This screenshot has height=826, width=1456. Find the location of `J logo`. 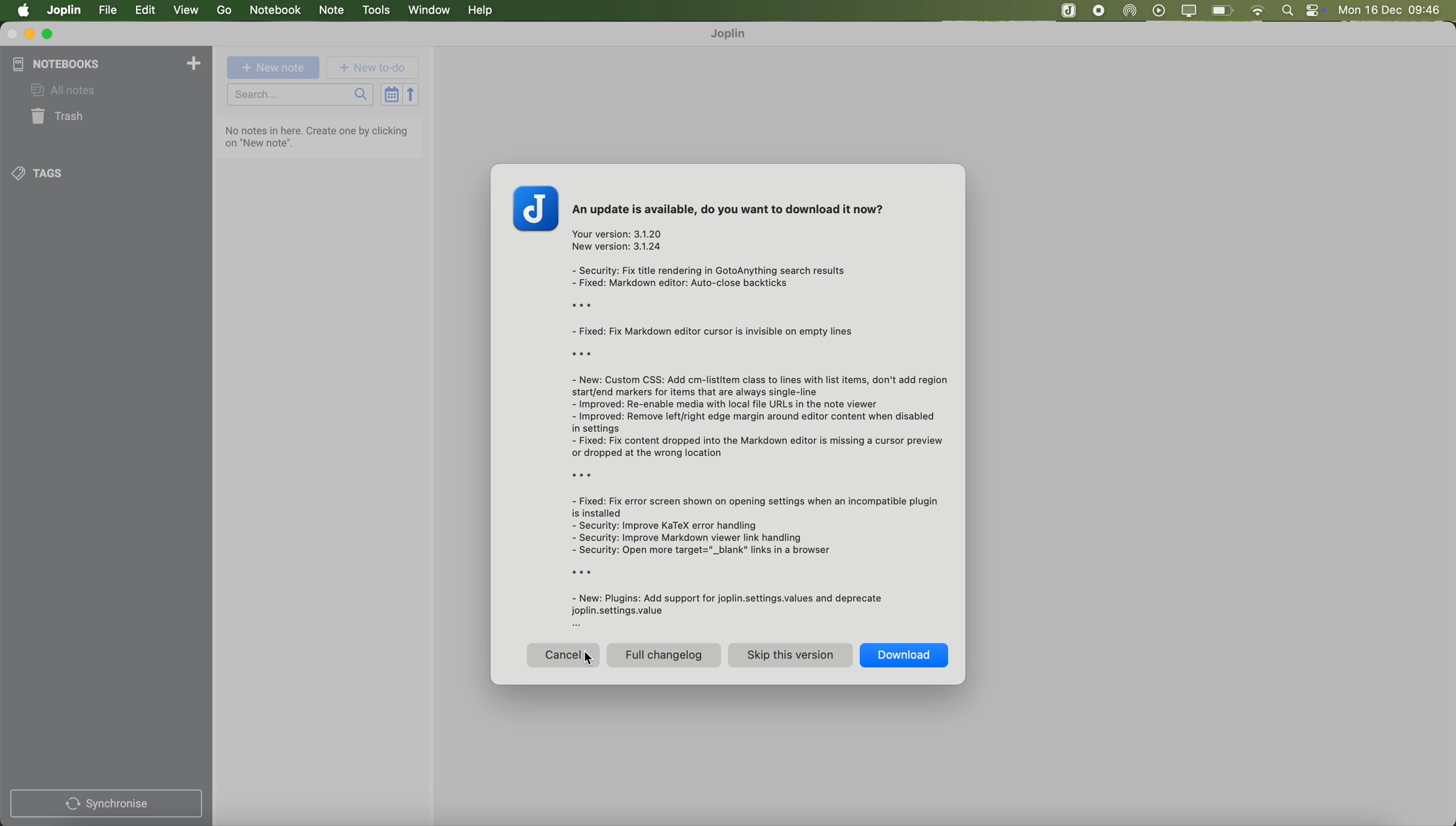

J logo is located at coordinates (526, 211).